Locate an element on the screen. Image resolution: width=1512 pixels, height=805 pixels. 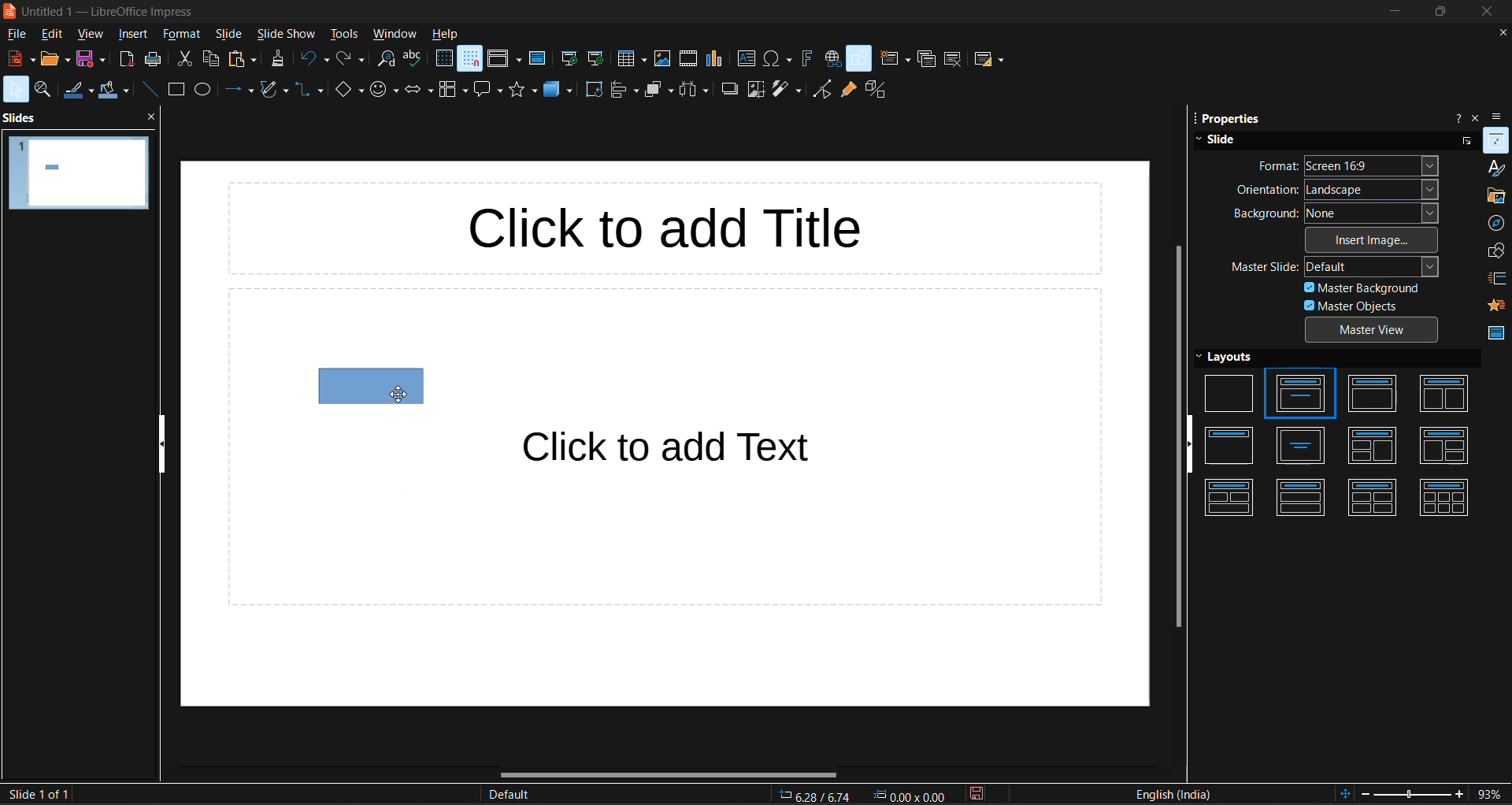
find and replace is located at coordinates (386, 60).